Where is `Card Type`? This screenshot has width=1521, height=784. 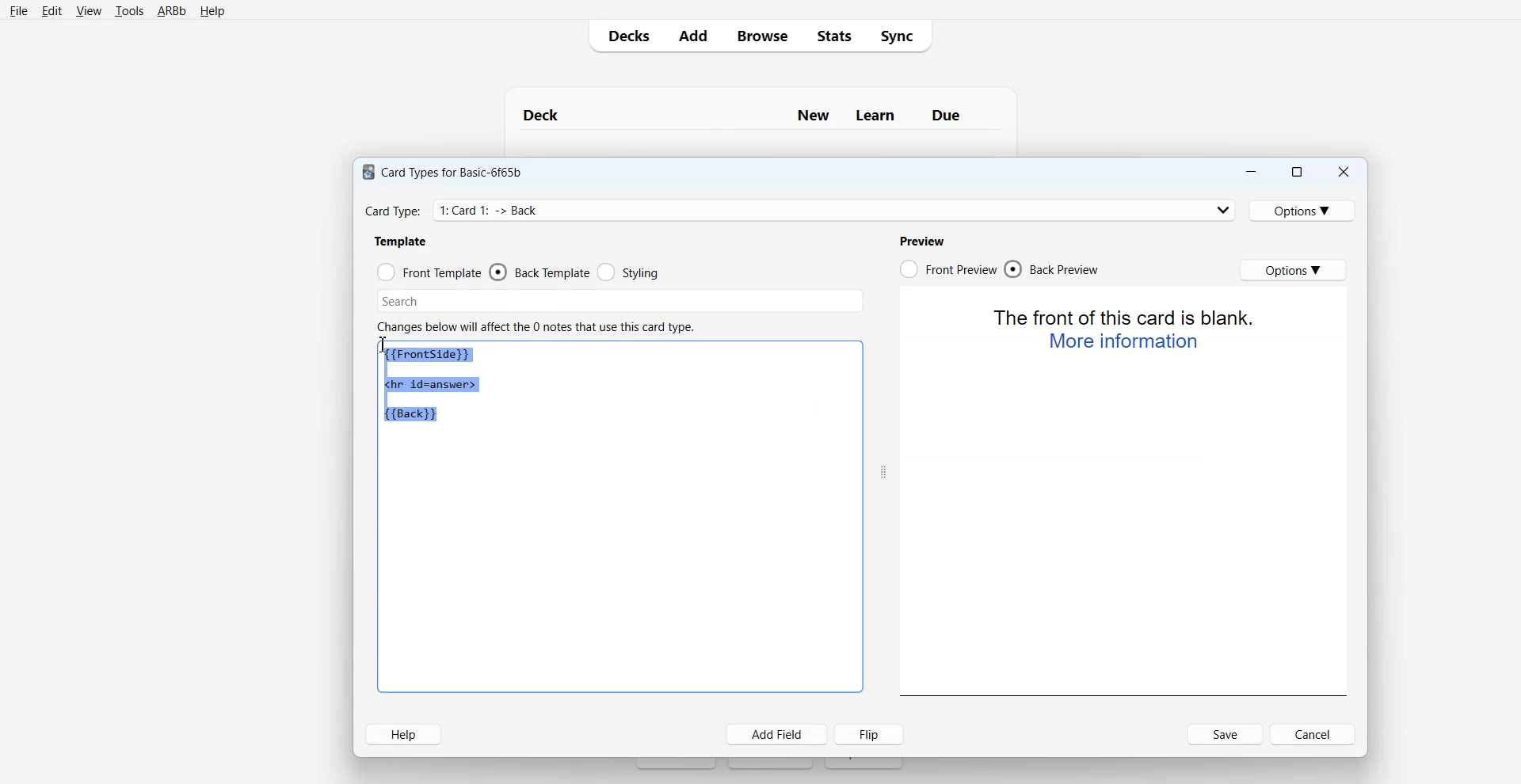 Card Type is located at coordinates (799, 209).